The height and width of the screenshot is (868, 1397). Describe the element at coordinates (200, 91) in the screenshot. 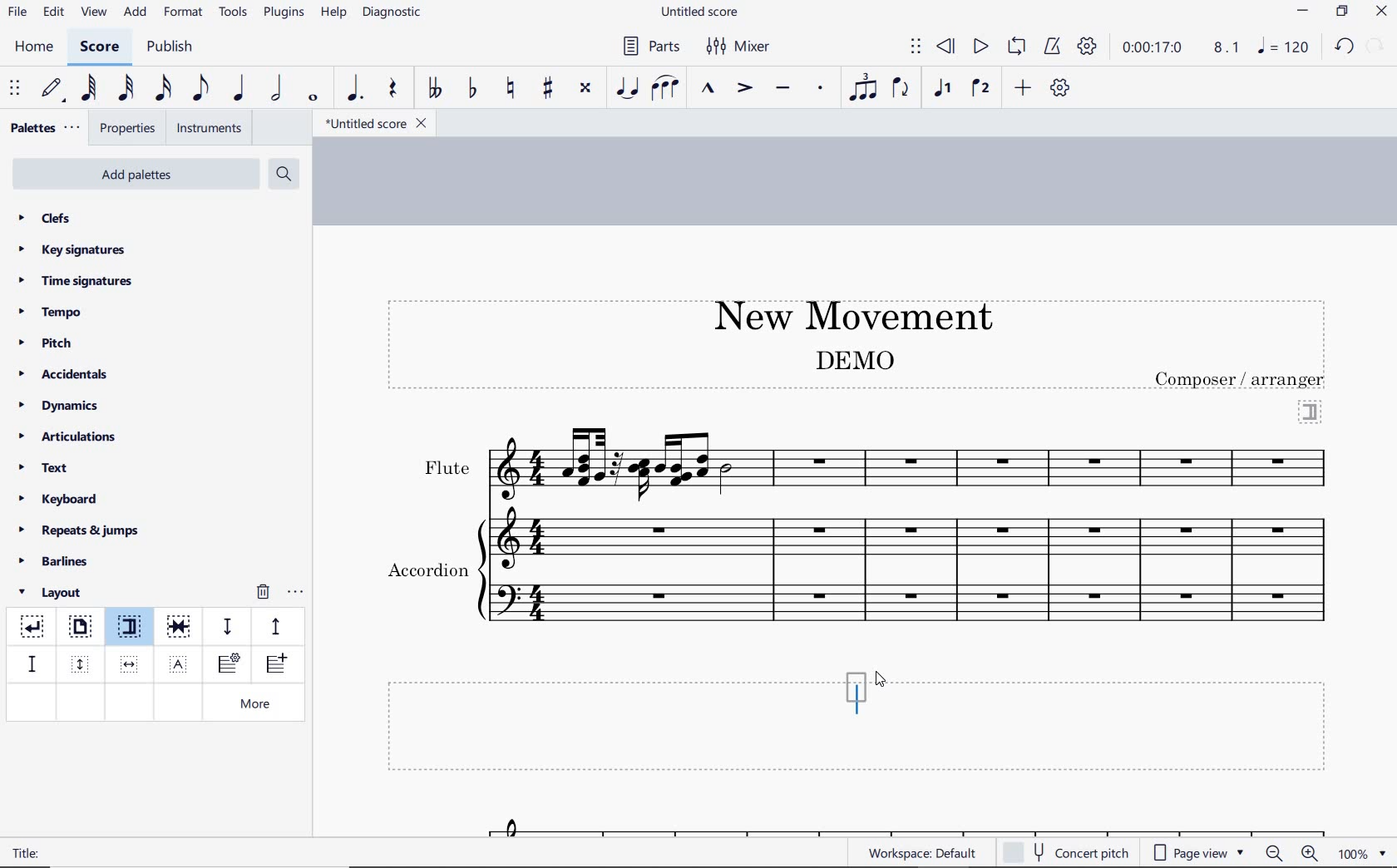

I see `eighth note` at that location.